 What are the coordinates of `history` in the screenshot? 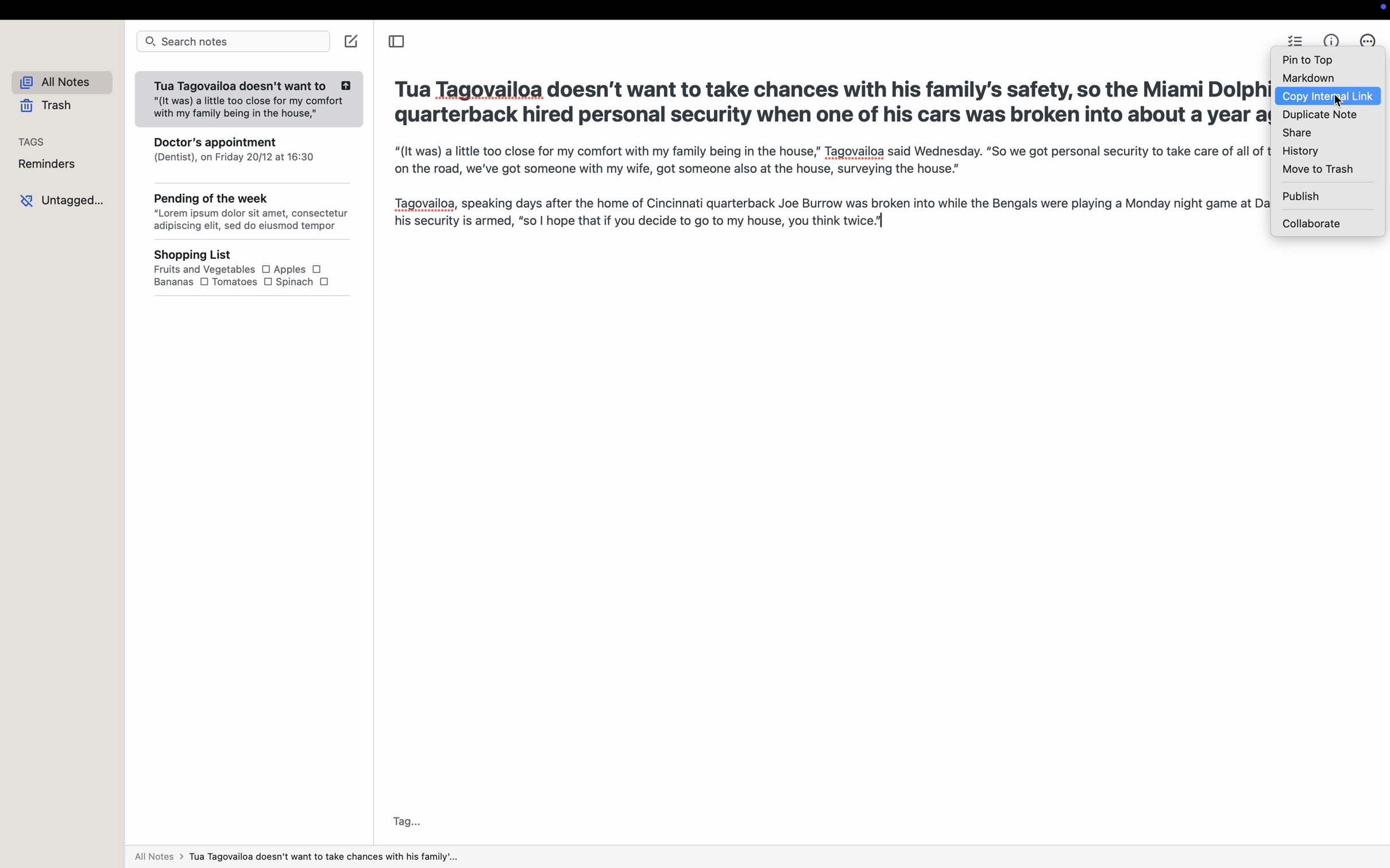 It's located at (1300, 150).